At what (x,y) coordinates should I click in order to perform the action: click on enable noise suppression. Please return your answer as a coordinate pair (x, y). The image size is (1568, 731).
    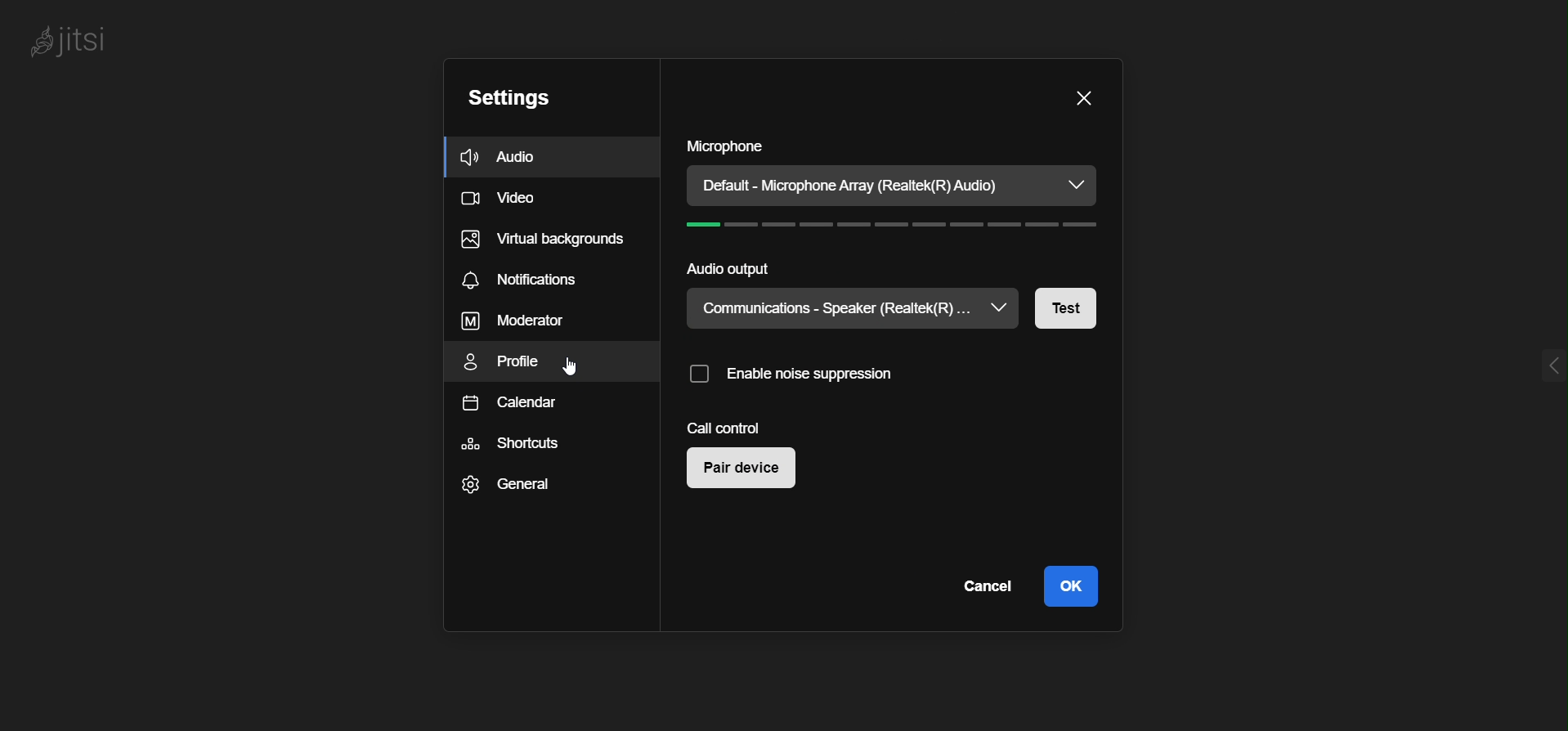
    Looking at the image, I should click on (805, 372).